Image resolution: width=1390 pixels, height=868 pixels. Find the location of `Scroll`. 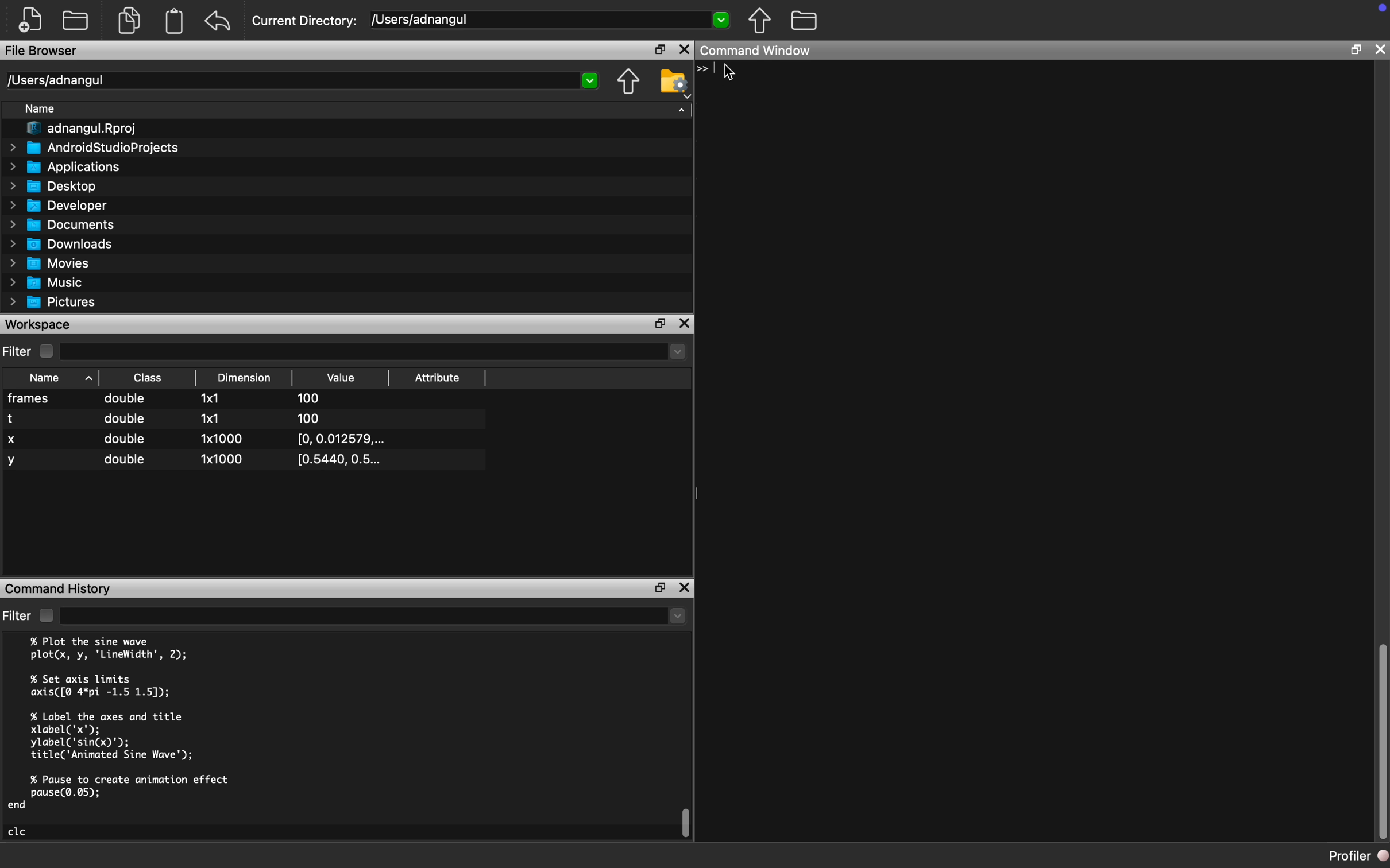

Scroll is located at coordinates (1381, 738).